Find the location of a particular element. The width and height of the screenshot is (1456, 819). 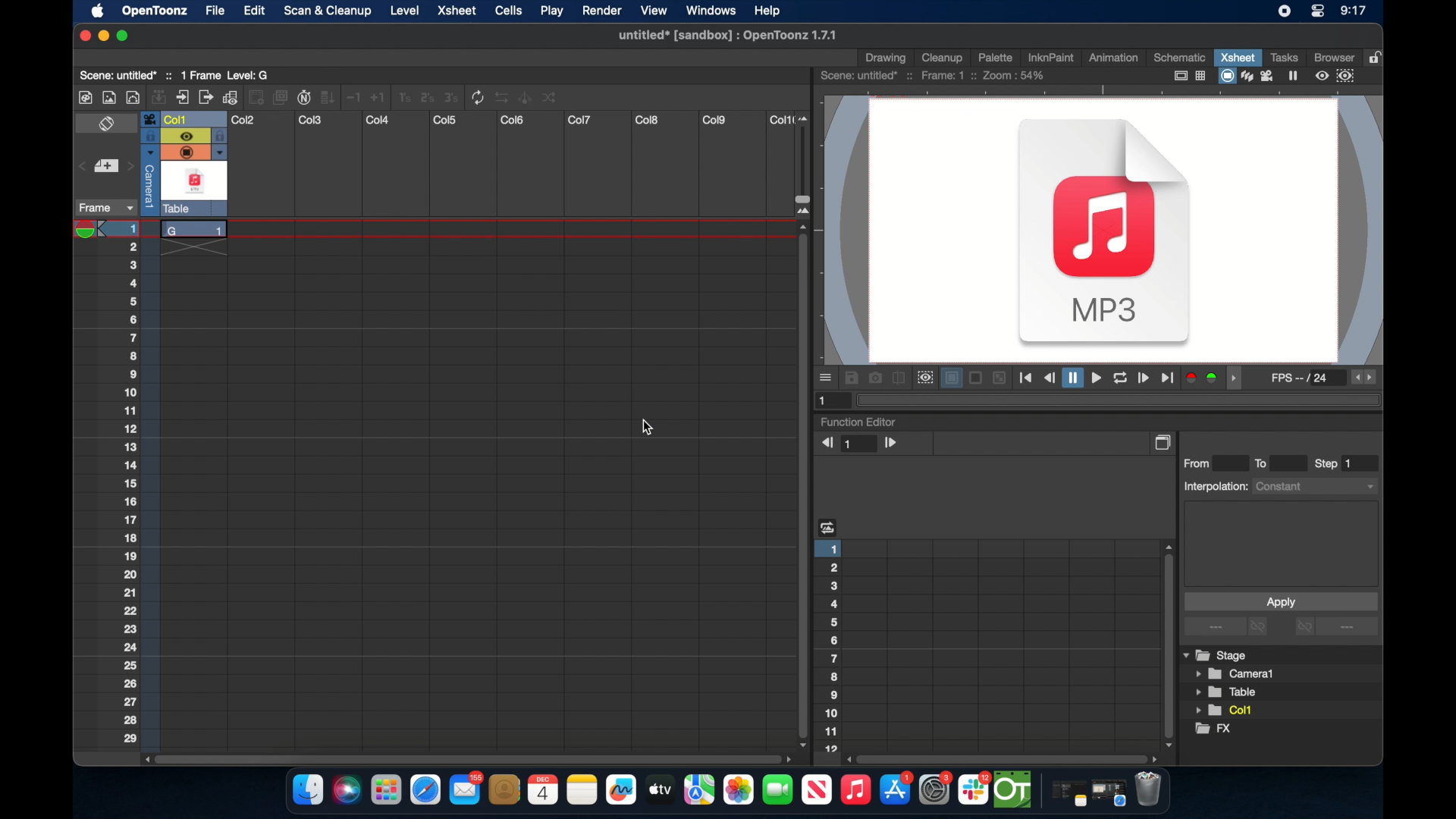

xsheet is located at coordinates (1238, 57).